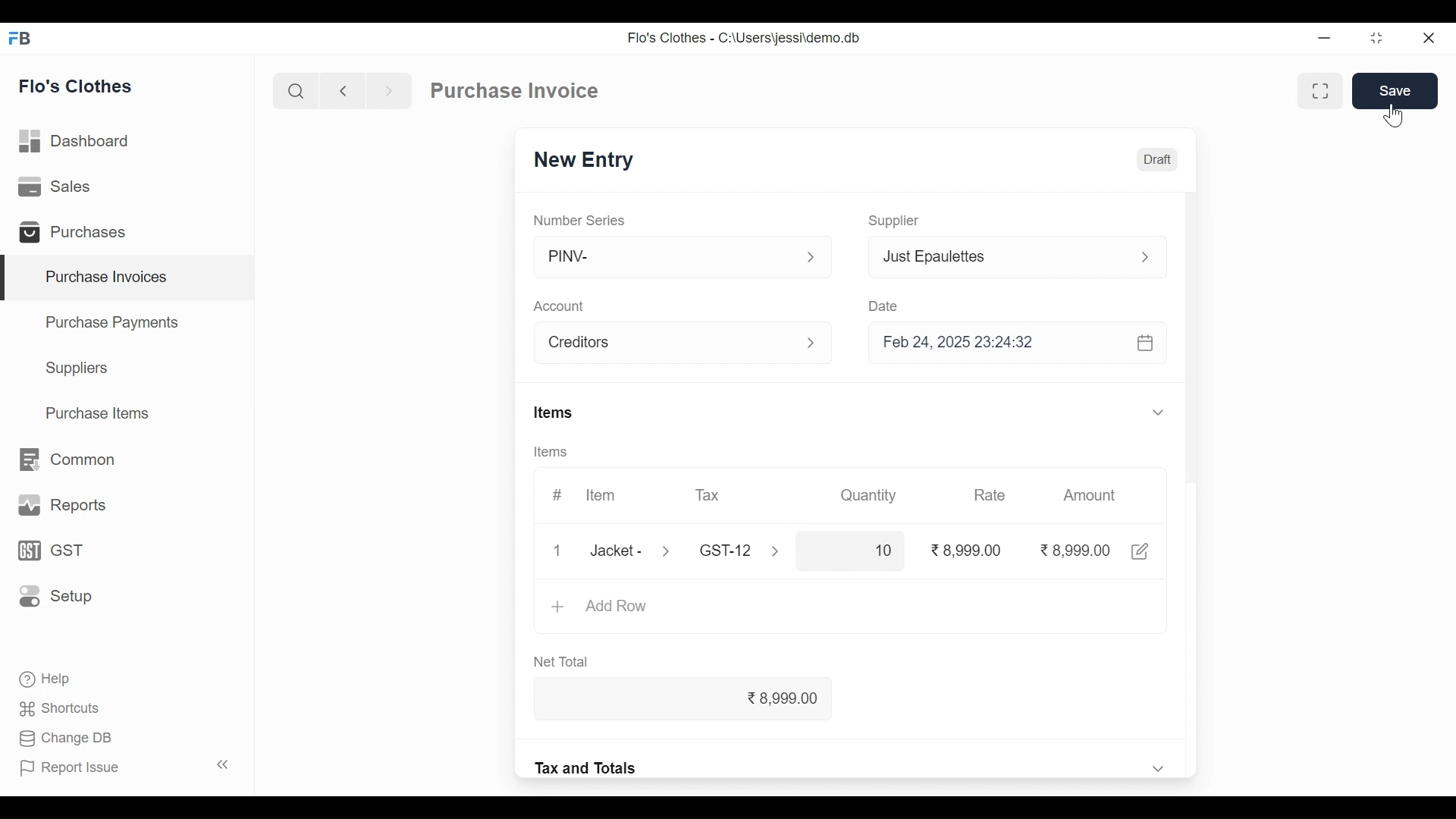 The height and width of the screenshot is (819, 1456). What do you see at coordinates (50, 679) in the screenshot?
I see `Help` at bounding box center [50, 679].